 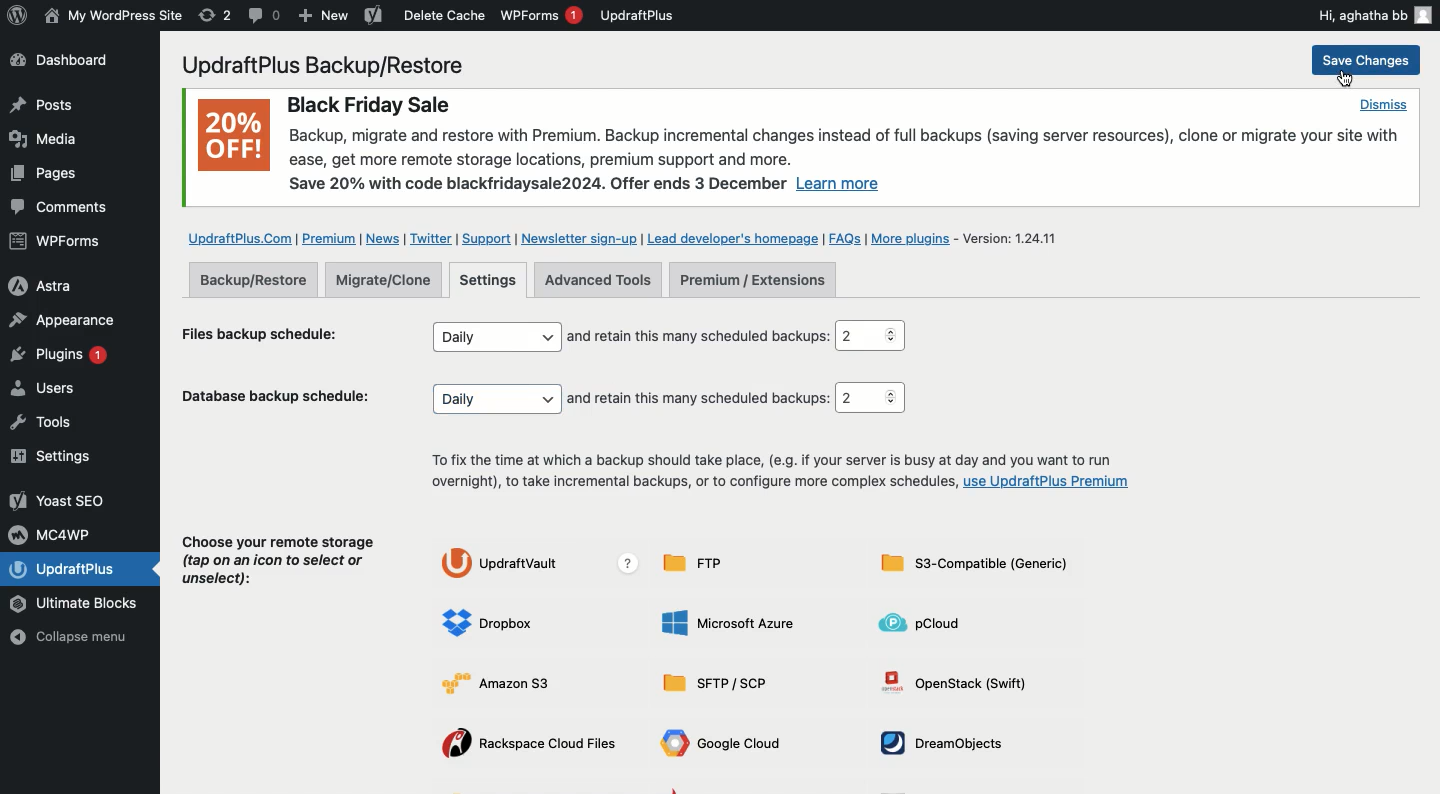 What do you see at coordinates (963, 681) in the screenshot?
I see `OpenStack` at bounding box center [963, 681].